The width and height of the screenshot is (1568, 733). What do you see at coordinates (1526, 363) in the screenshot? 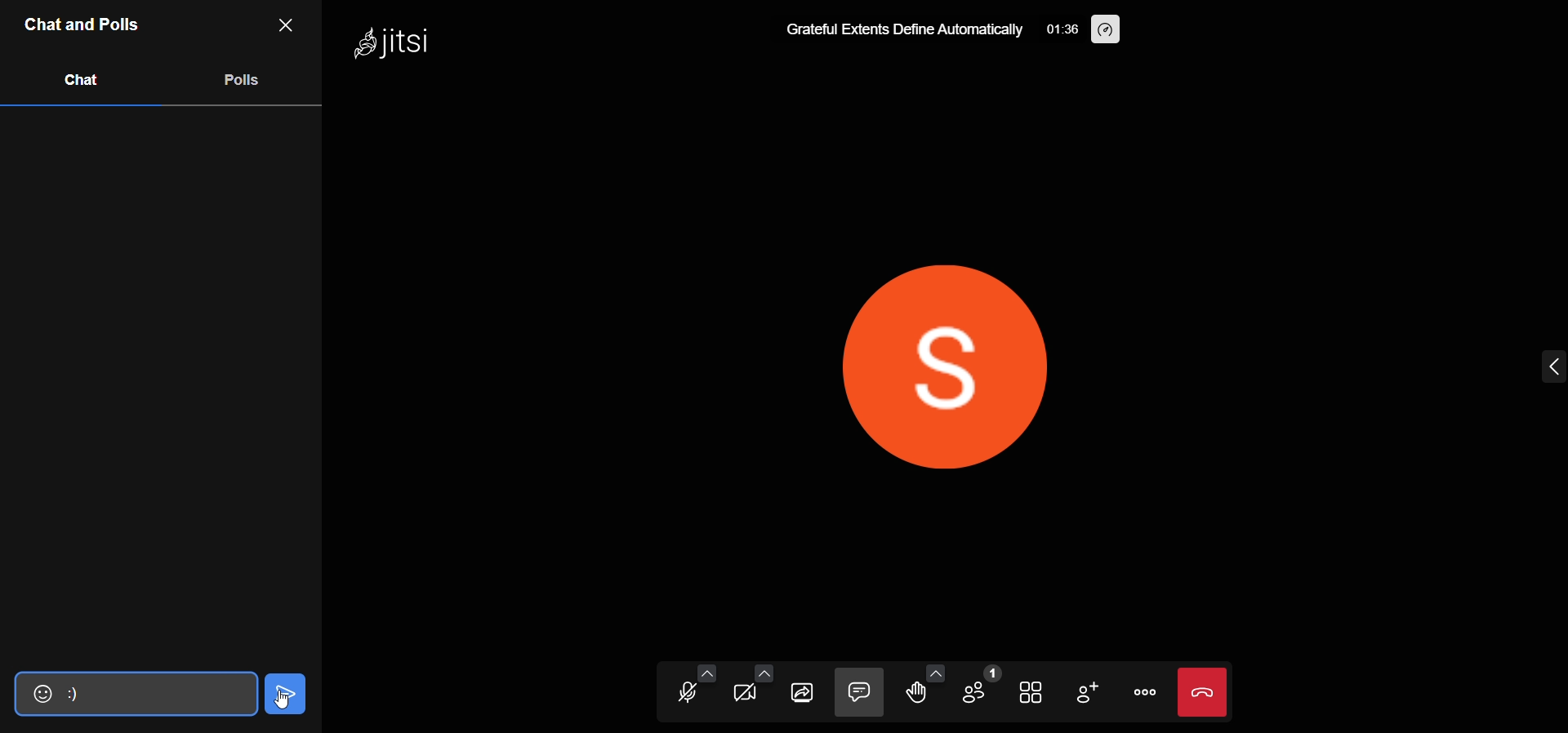
I see `expand` at bounding box center [1526, 363].